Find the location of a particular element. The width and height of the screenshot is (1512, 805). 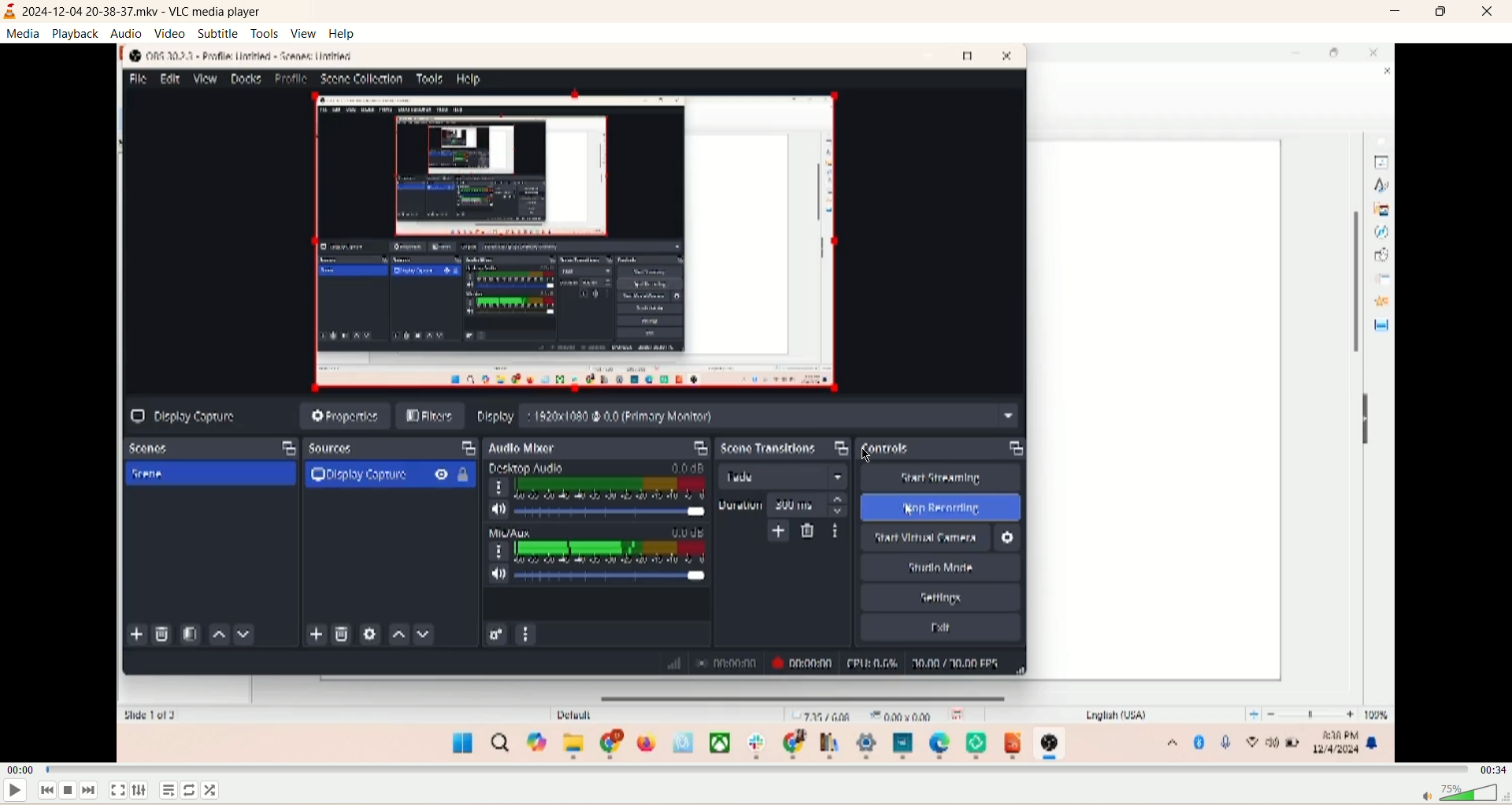

loop is located at coordinates (190, 788).